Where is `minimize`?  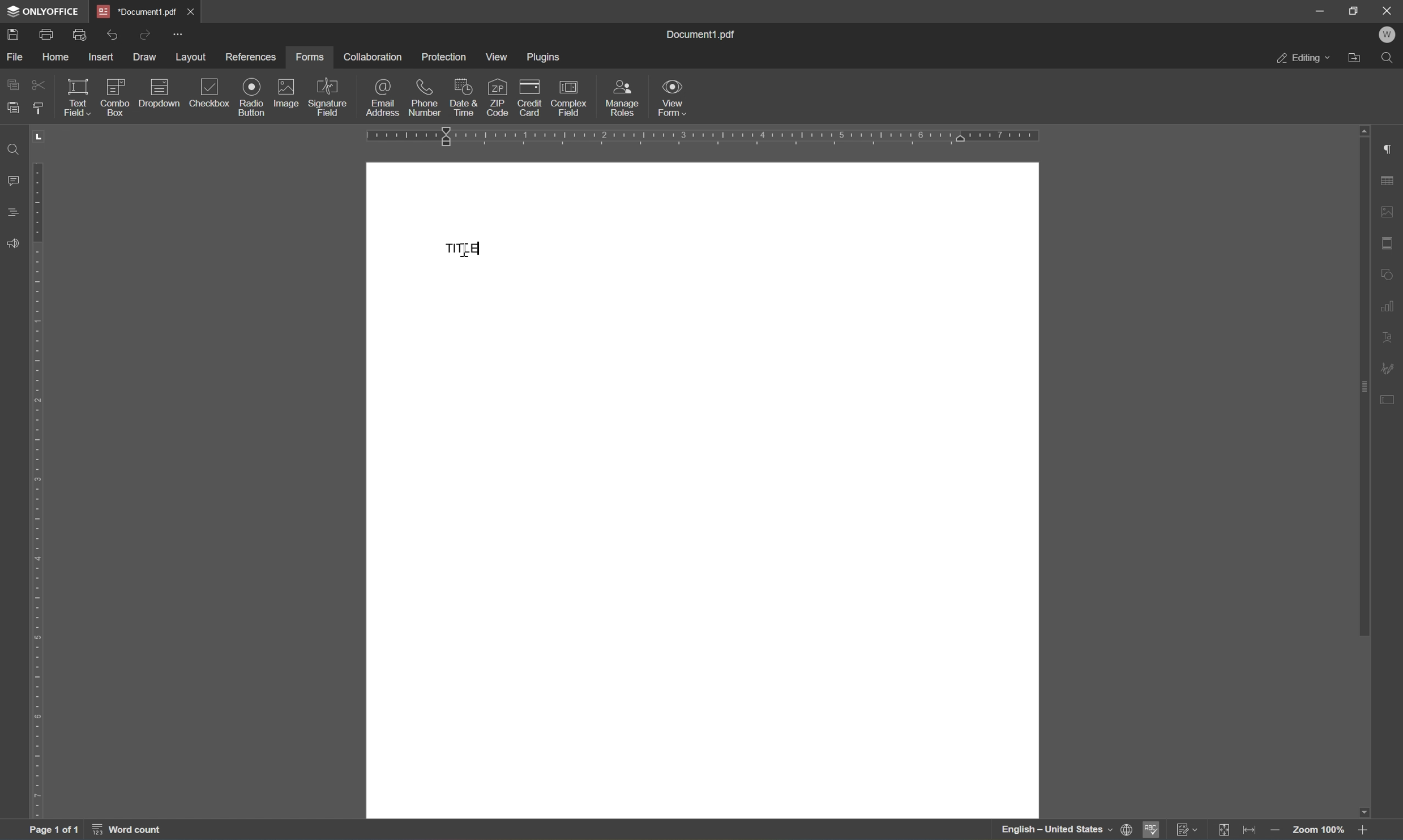
minimize is located at coordinates (1319, 11).